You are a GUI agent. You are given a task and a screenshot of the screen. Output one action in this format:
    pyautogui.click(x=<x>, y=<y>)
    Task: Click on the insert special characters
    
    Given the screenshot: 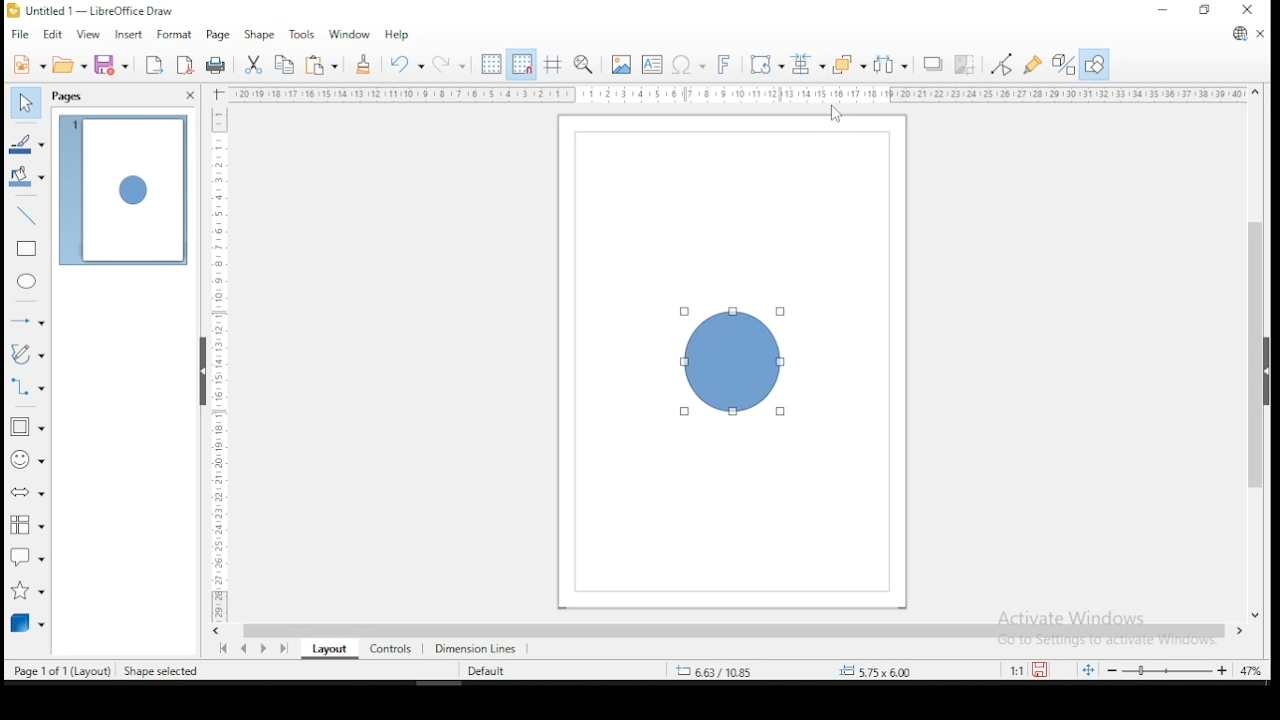 What is the action you would take?
    pyautogui.click(x=686, y=63)
    